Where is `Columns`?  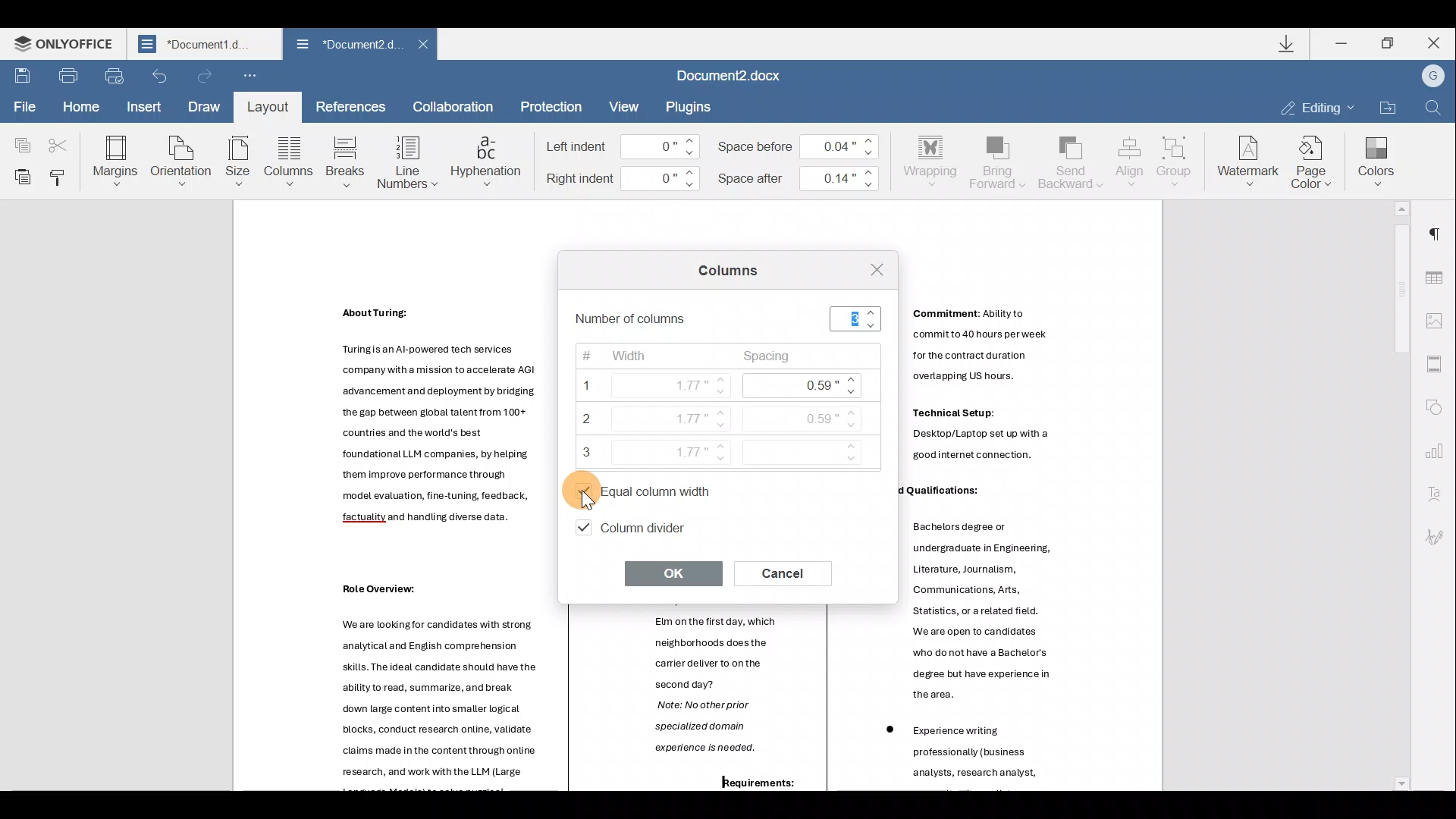 Columns is located at coordinates (723, 274).